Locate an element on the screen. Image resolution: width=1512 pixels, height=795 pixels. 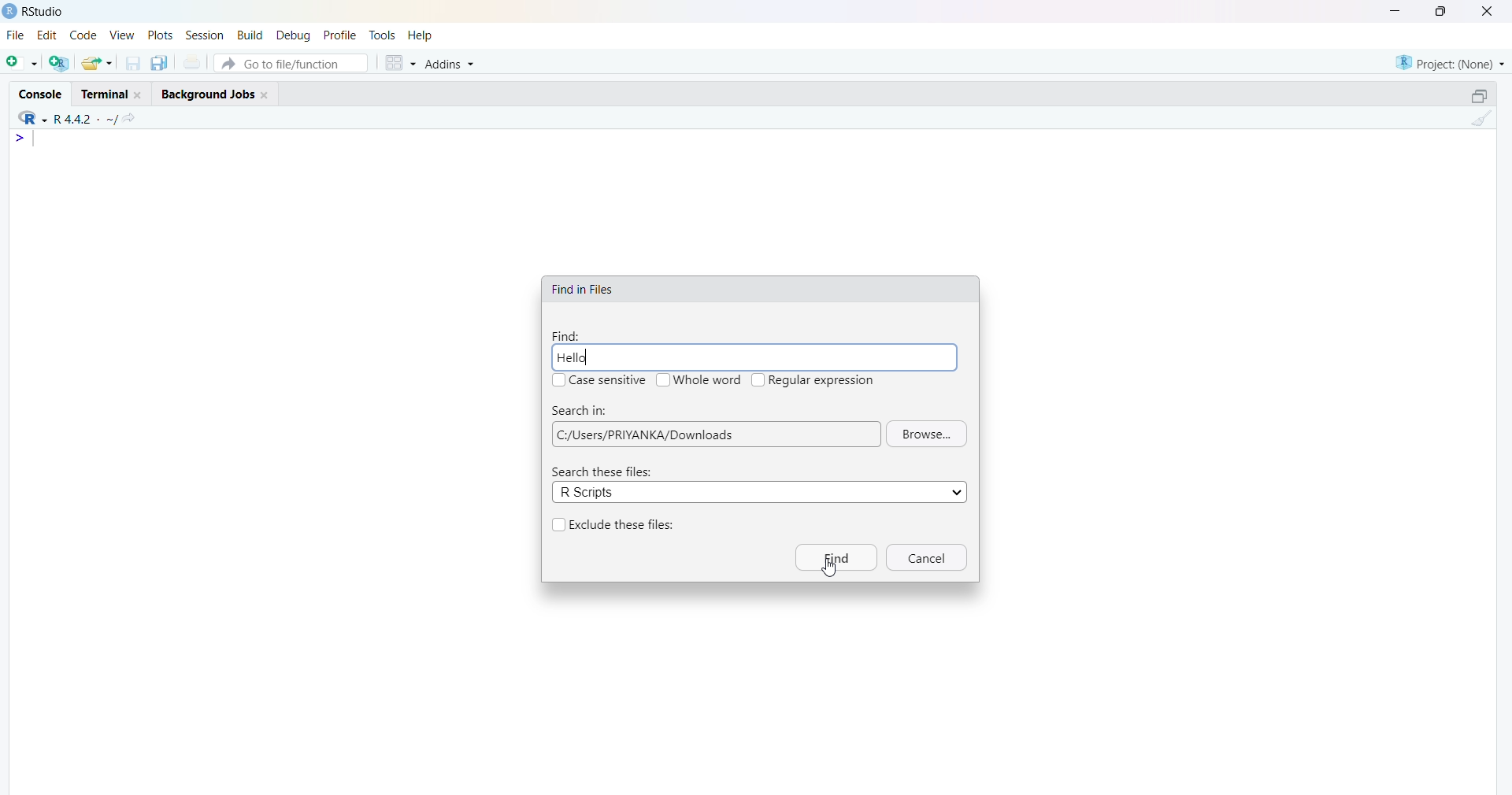
checkbox is located at coordinates (559, 380).